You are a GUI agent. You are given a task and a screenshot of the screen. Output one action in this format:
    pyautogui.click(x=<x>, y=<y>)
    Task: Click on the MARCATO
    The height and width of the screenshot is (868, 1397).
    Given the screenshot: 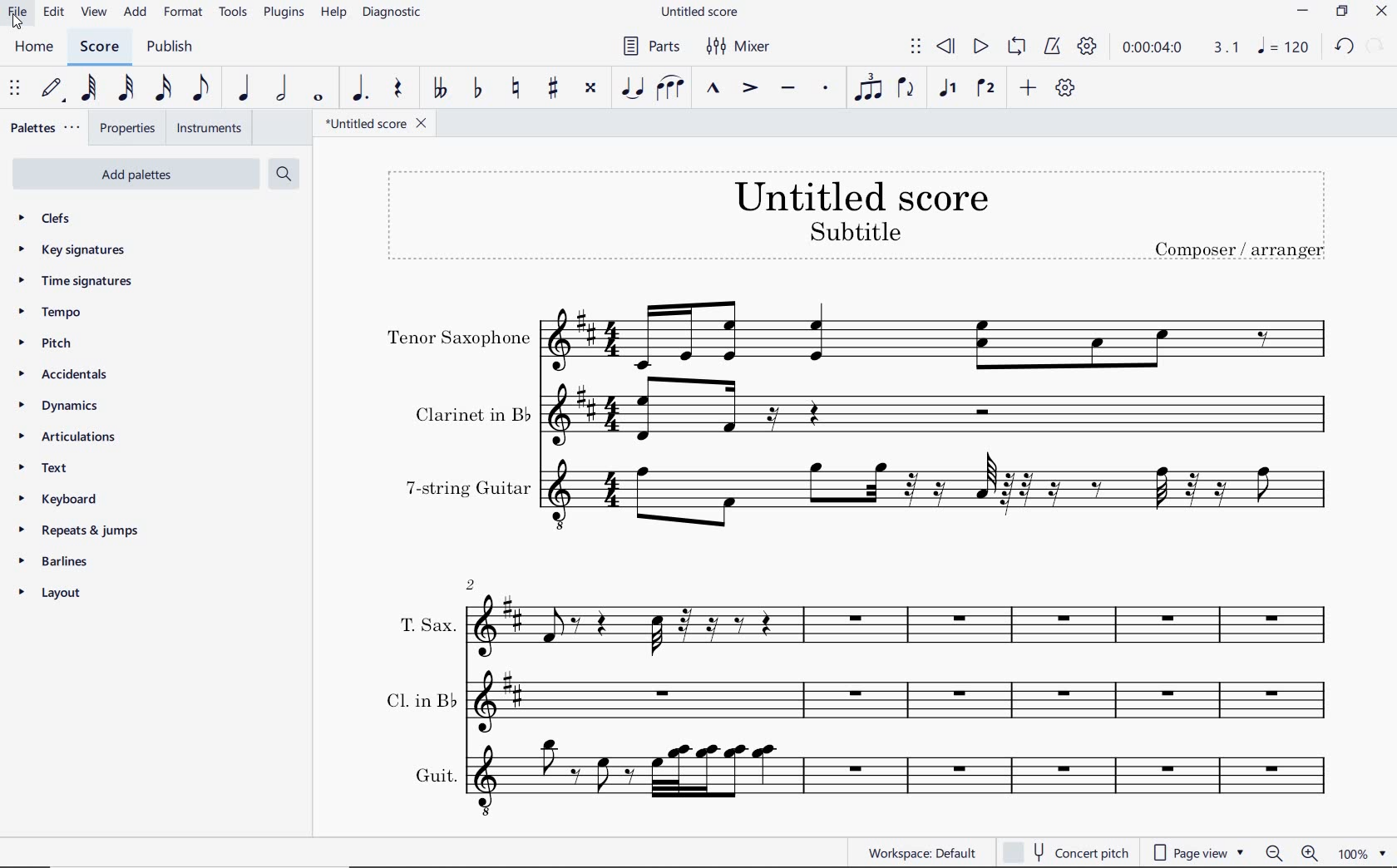 What is the action you would take?
    pyautogui.click(x=713, y=89)
    